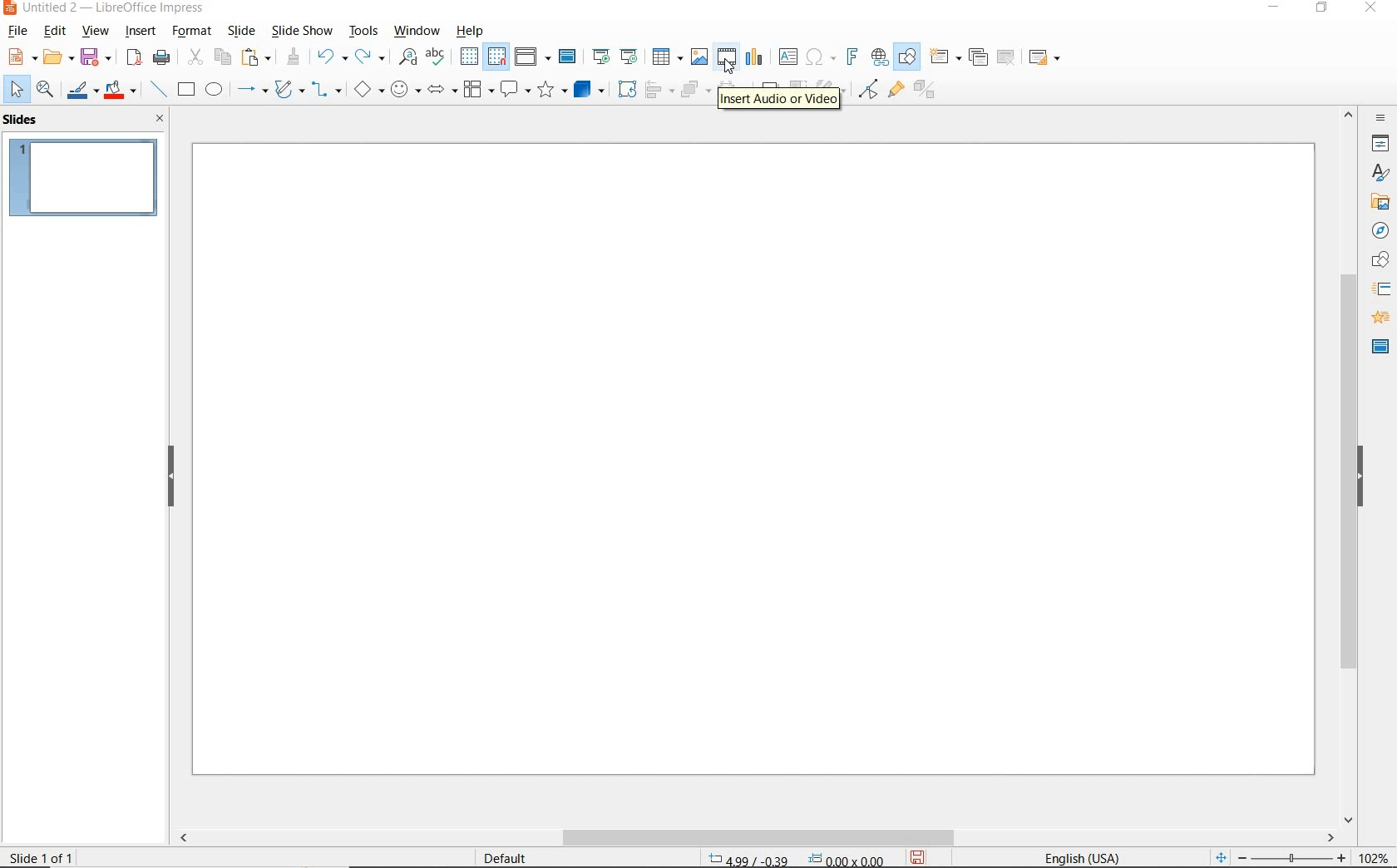 This screenshot has width=1397, height=868. What do you see at coordinates (371, 57) in the screenshot?
I see `REDO` at bounding box center [371, 57].